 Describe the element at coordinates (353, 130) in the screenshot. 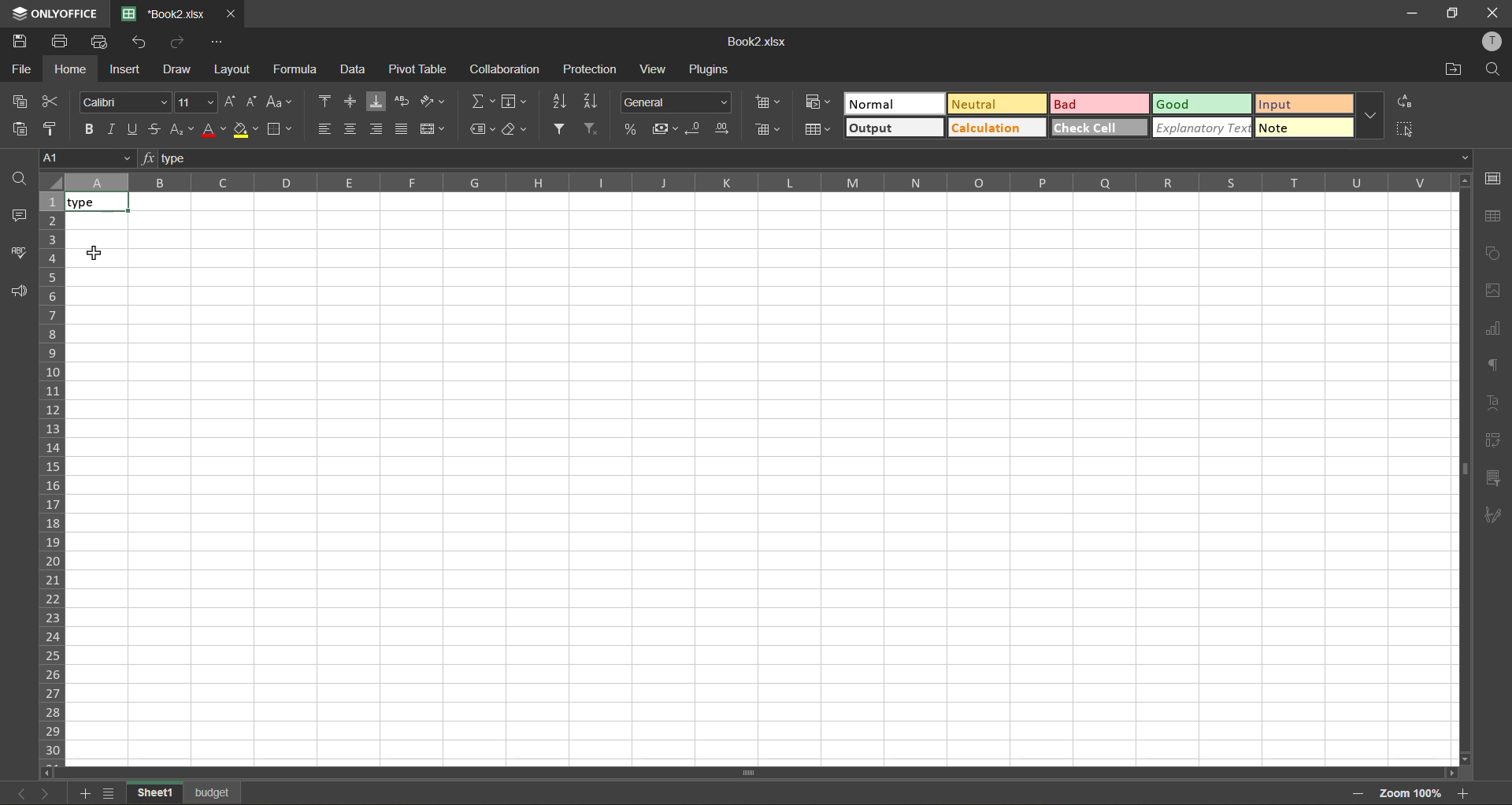

I see `align center` at that location.